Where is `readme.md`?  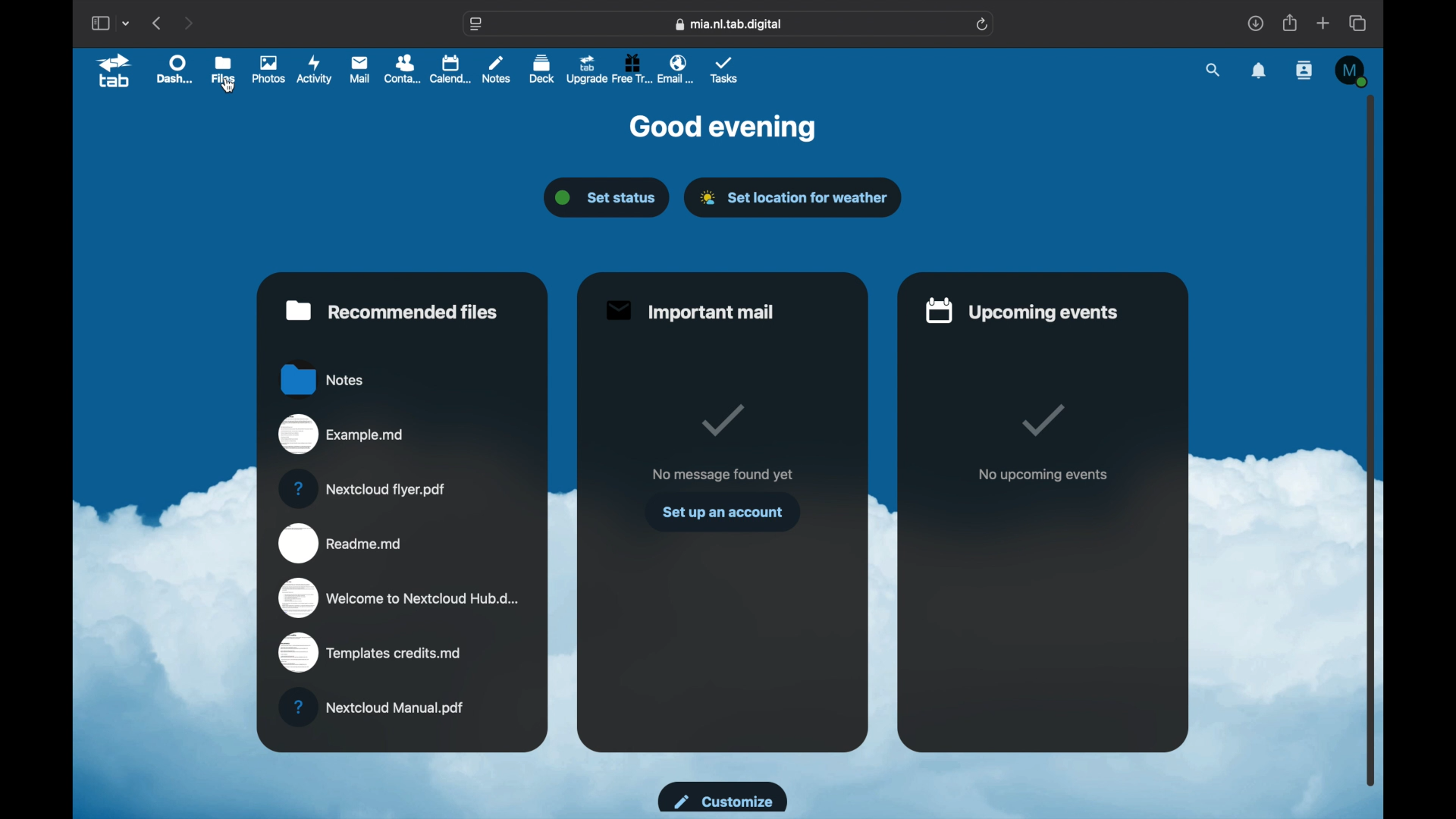 readme.md is located at coordinates (340, 543).